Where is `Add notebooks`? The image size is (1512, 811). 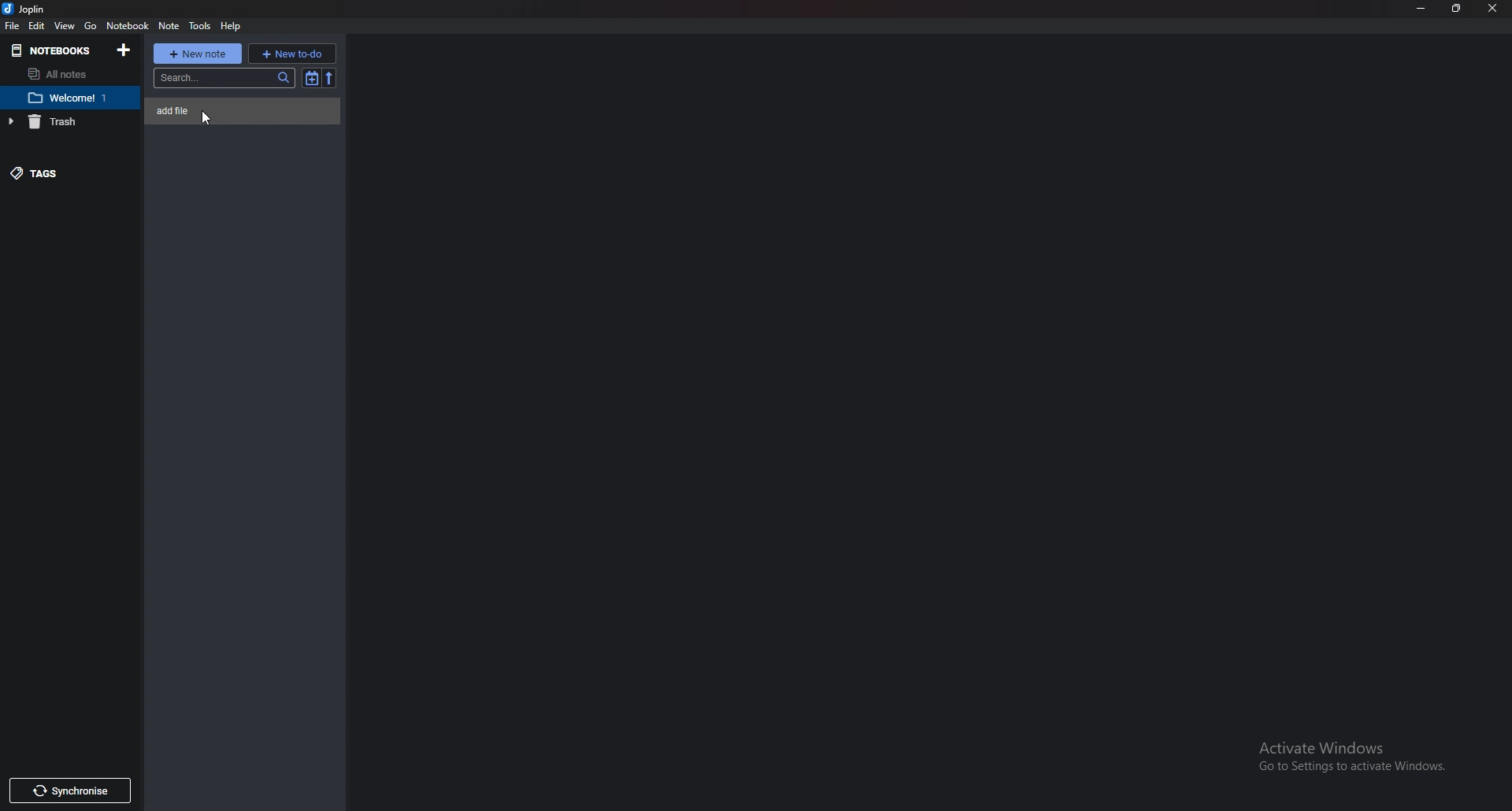 Add notebooks is located at coordinates (127, 49).